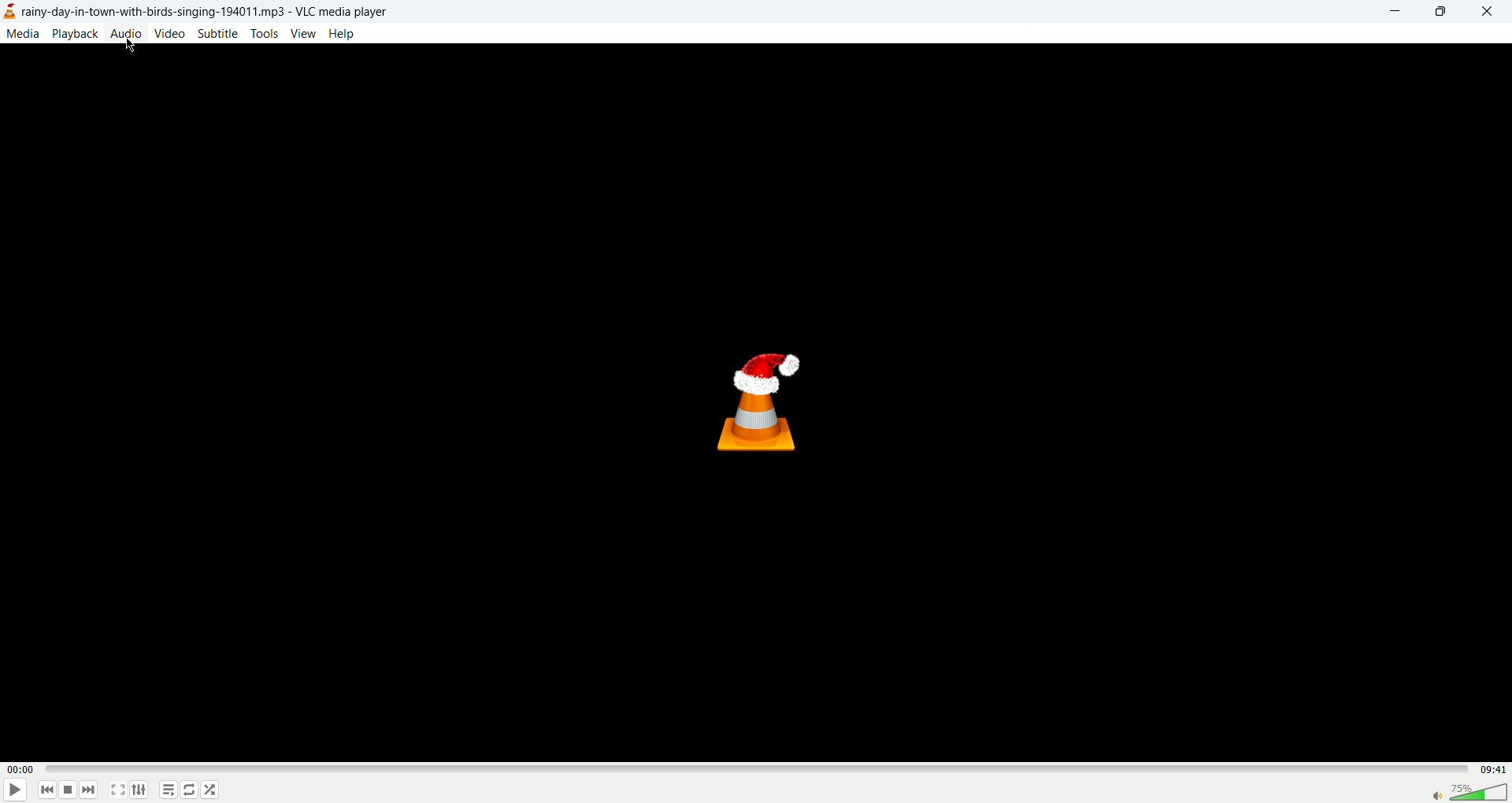 Image resolution: width=1512 pixels, height=803 pixels. Describe the element at coordinates (341, 34) in the screenshot. I see `help` at that location.